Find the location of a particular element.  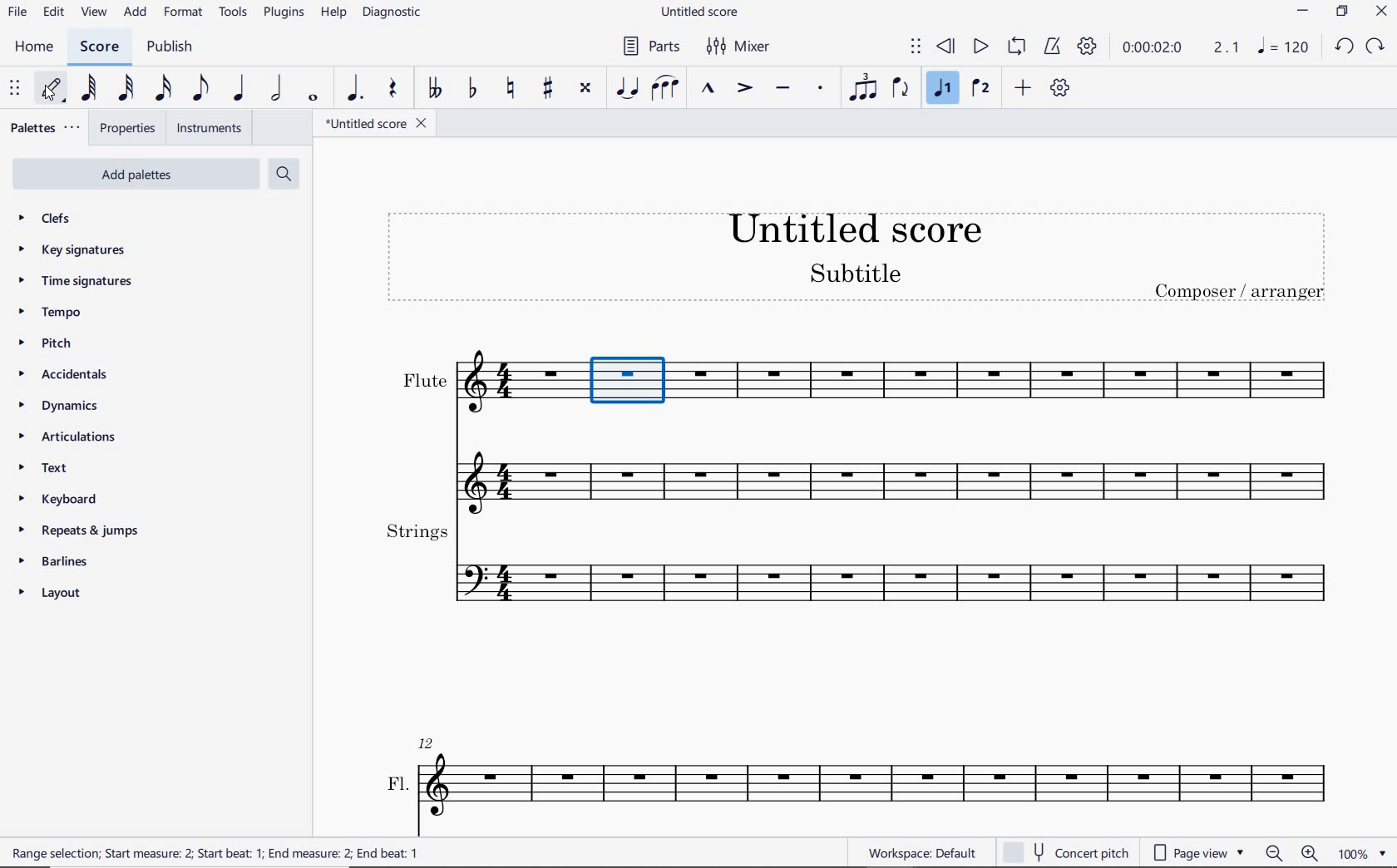

32ND NOTE is located at coordinates (125, 89).